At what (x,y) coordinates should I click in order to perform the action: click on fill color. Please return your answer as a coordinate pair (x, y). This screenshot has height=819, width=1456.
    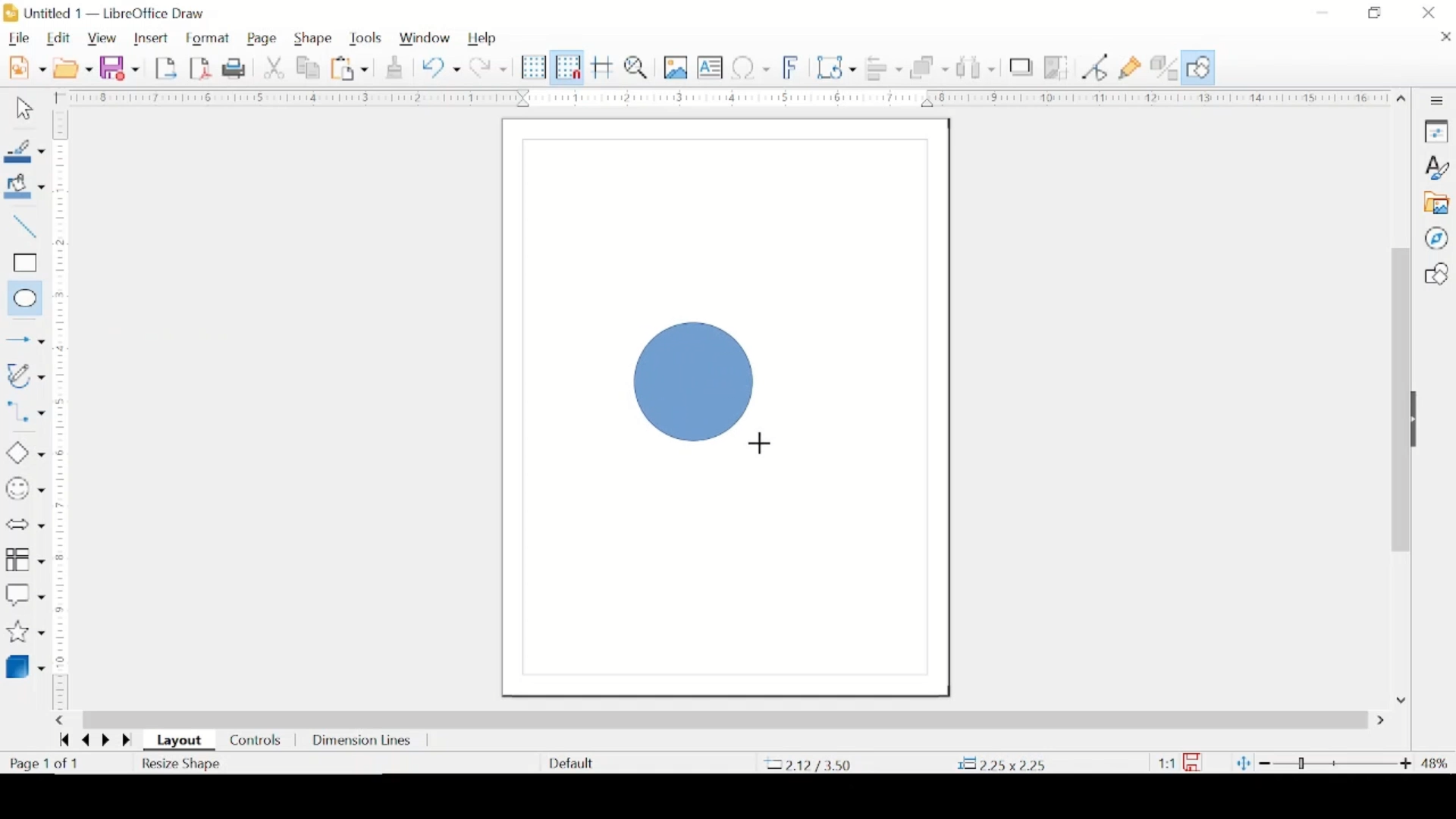
    Looking at the image, I should click on (27, 187).